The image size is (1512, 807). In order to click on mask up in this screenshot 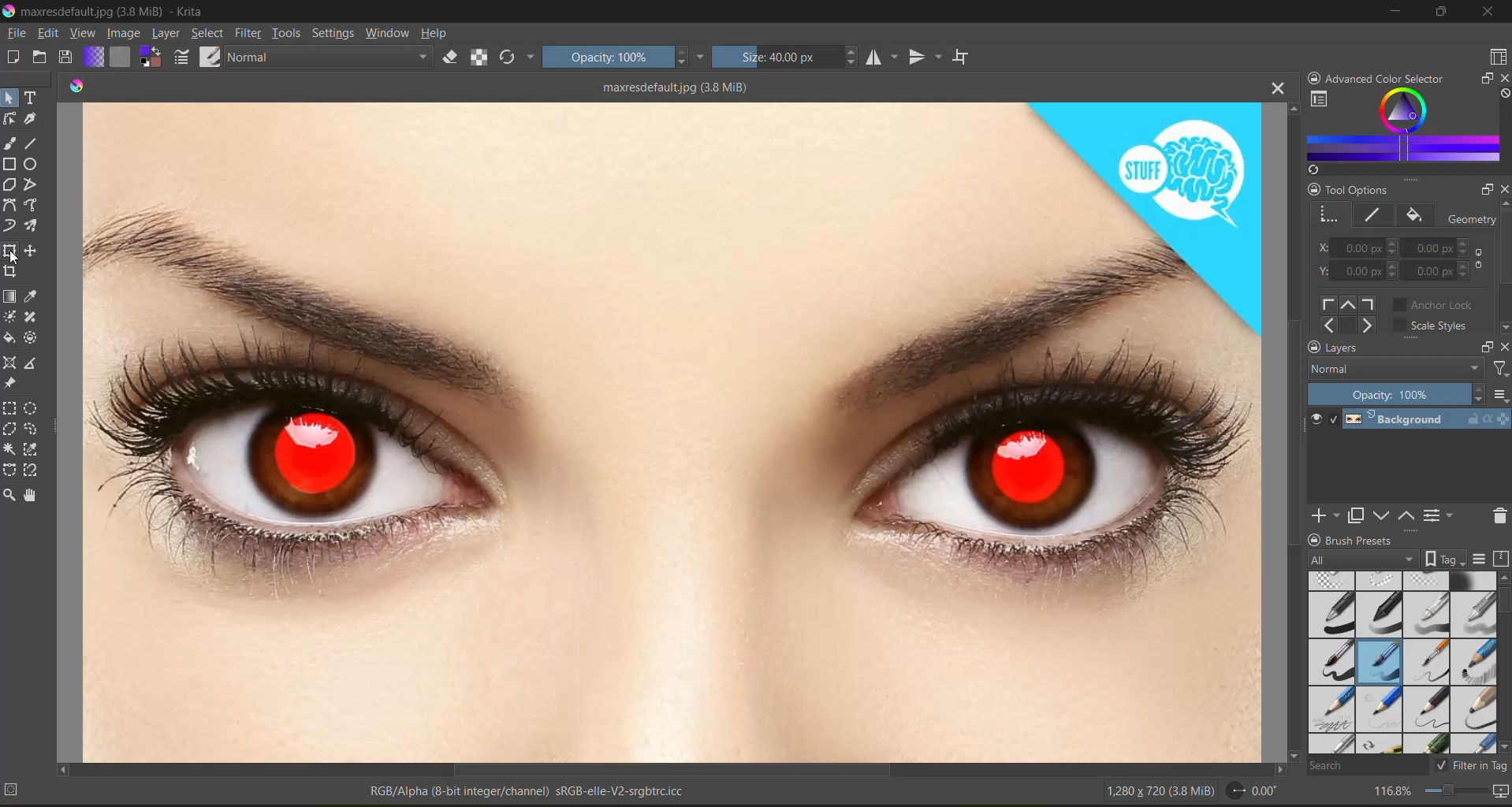, I will do `click(1410, 516)`.